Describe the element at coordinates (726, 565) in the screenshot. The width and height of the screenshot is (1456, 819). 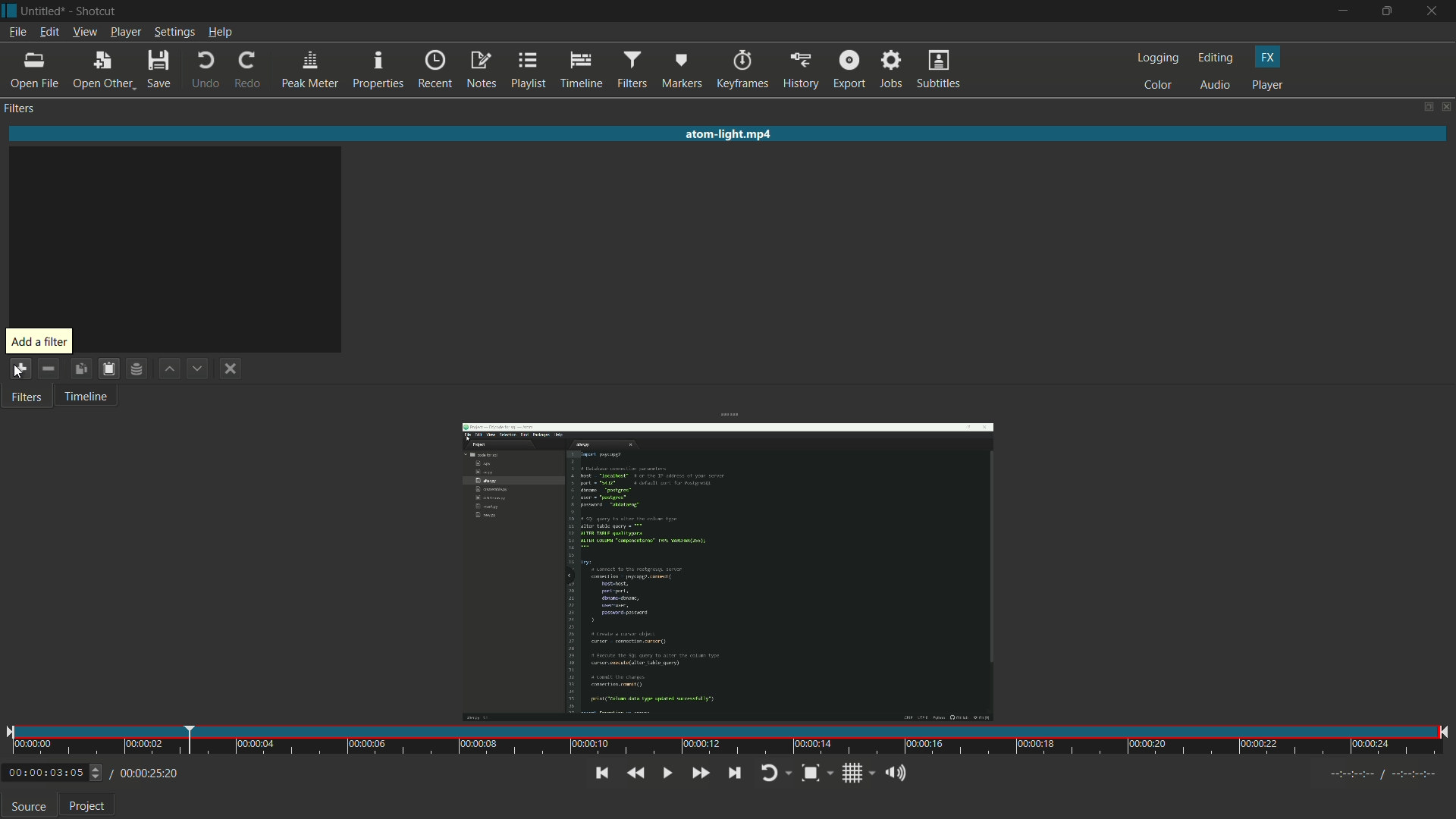
I see `opened file` at that location.